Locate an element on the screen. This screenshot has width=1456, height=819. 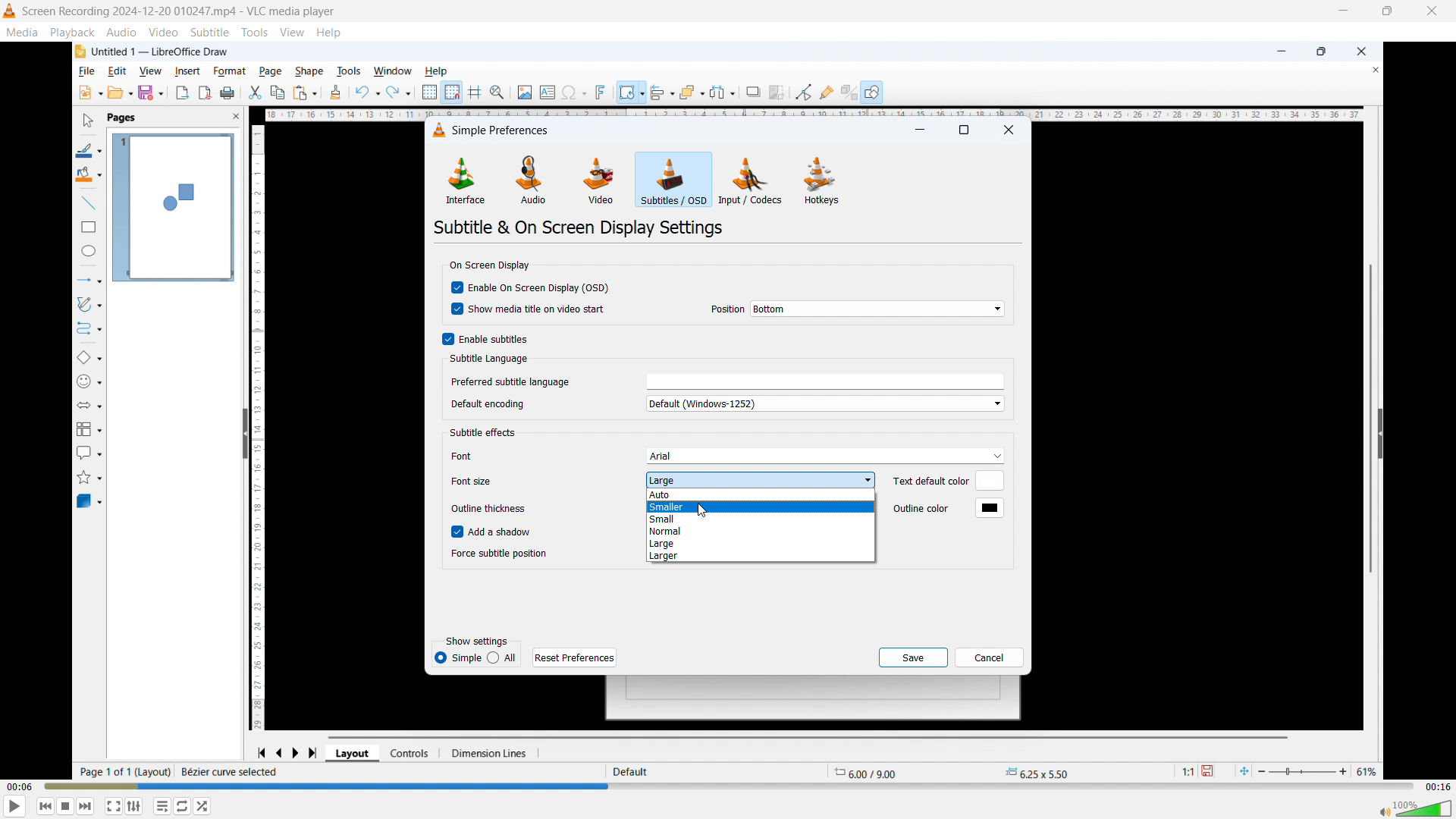
On screen display position  is located at coordinates (875, 309).